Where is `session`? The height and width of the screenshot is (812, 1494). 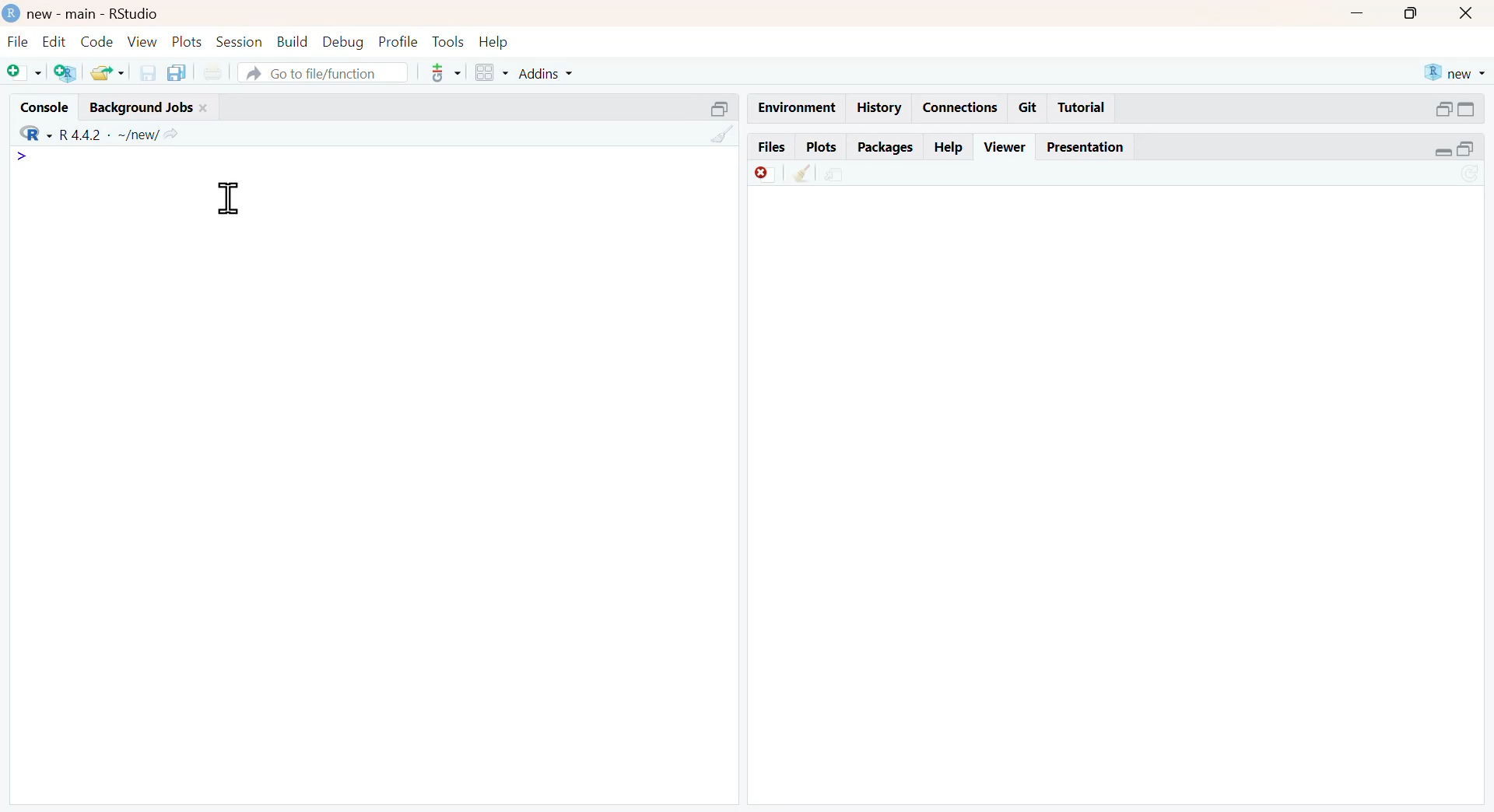 session is located at coordinates (240, 42).